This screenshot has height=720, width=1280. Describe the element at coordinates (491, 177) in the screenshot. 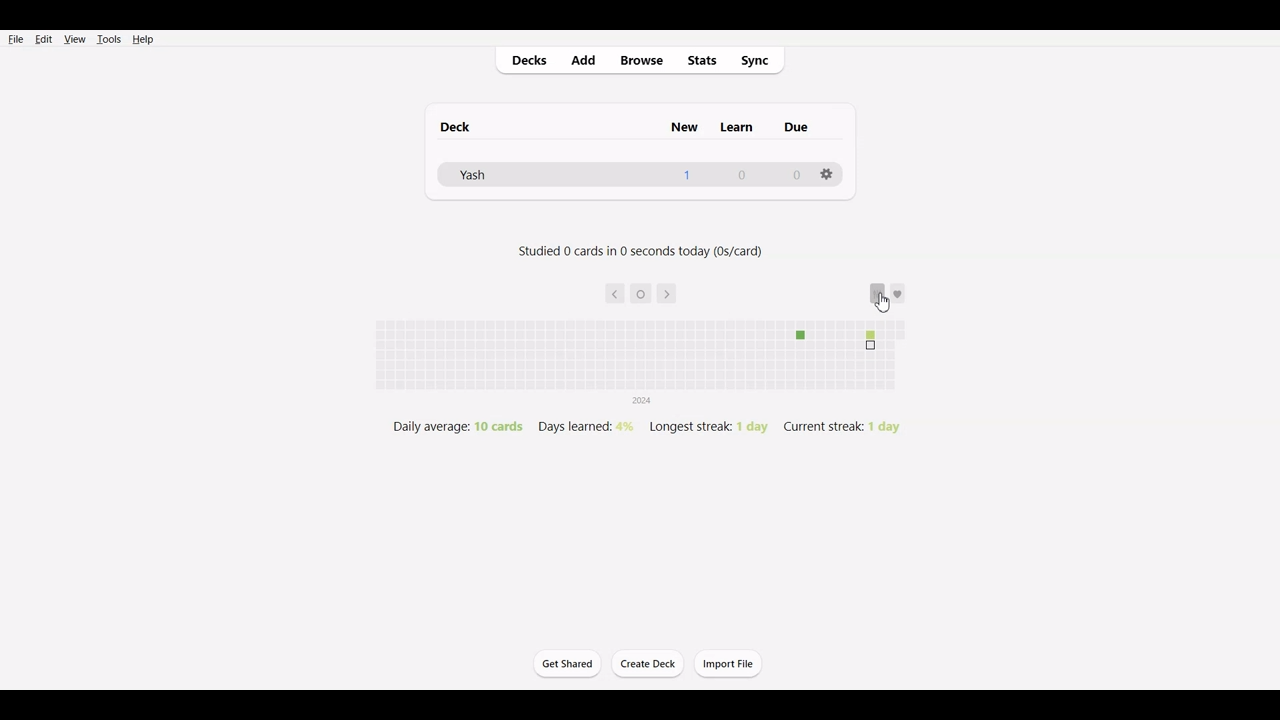

I see `Yash` at that location.